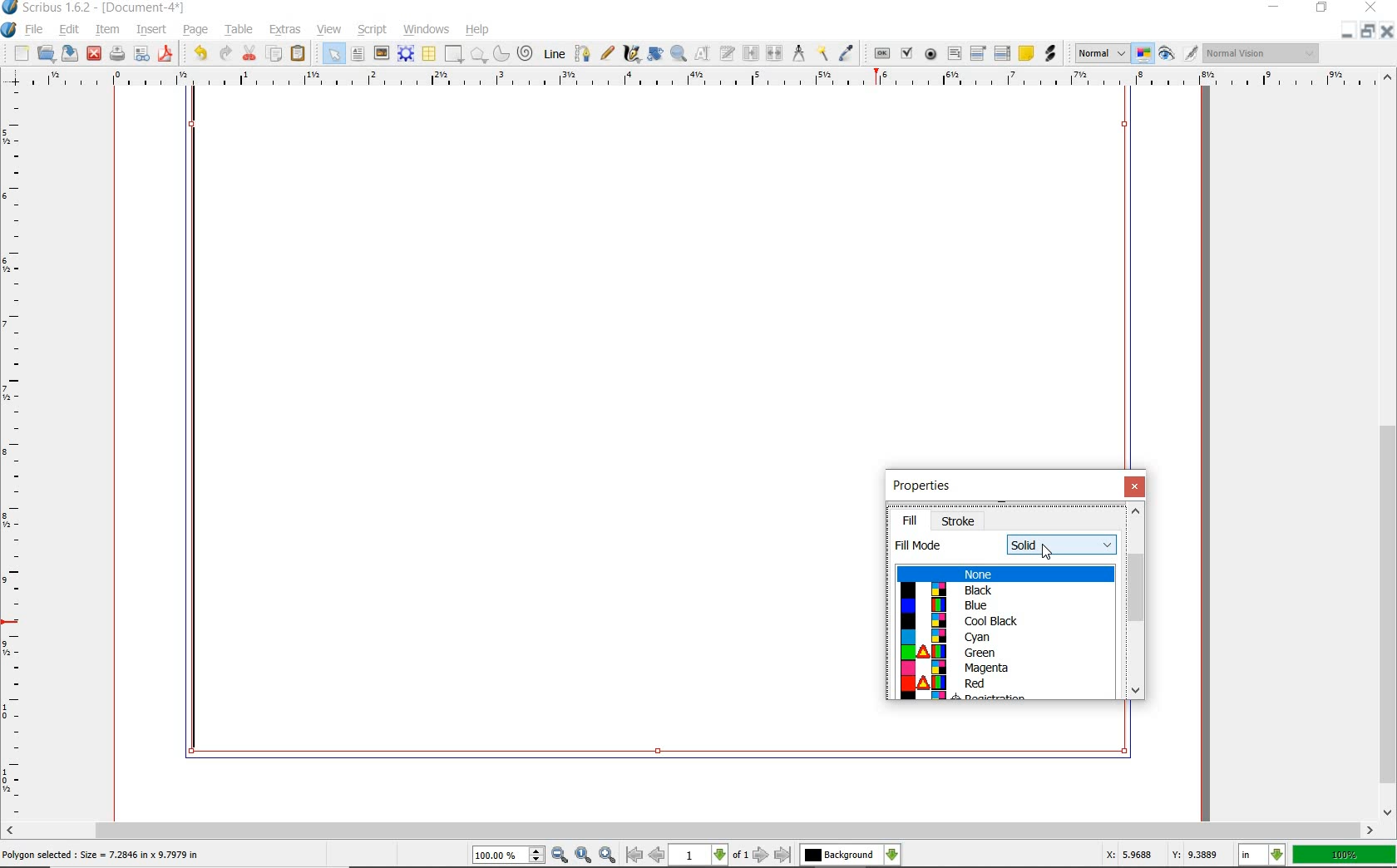 The image size is (1397, 868). I want to click on undo, so click(198, 53).